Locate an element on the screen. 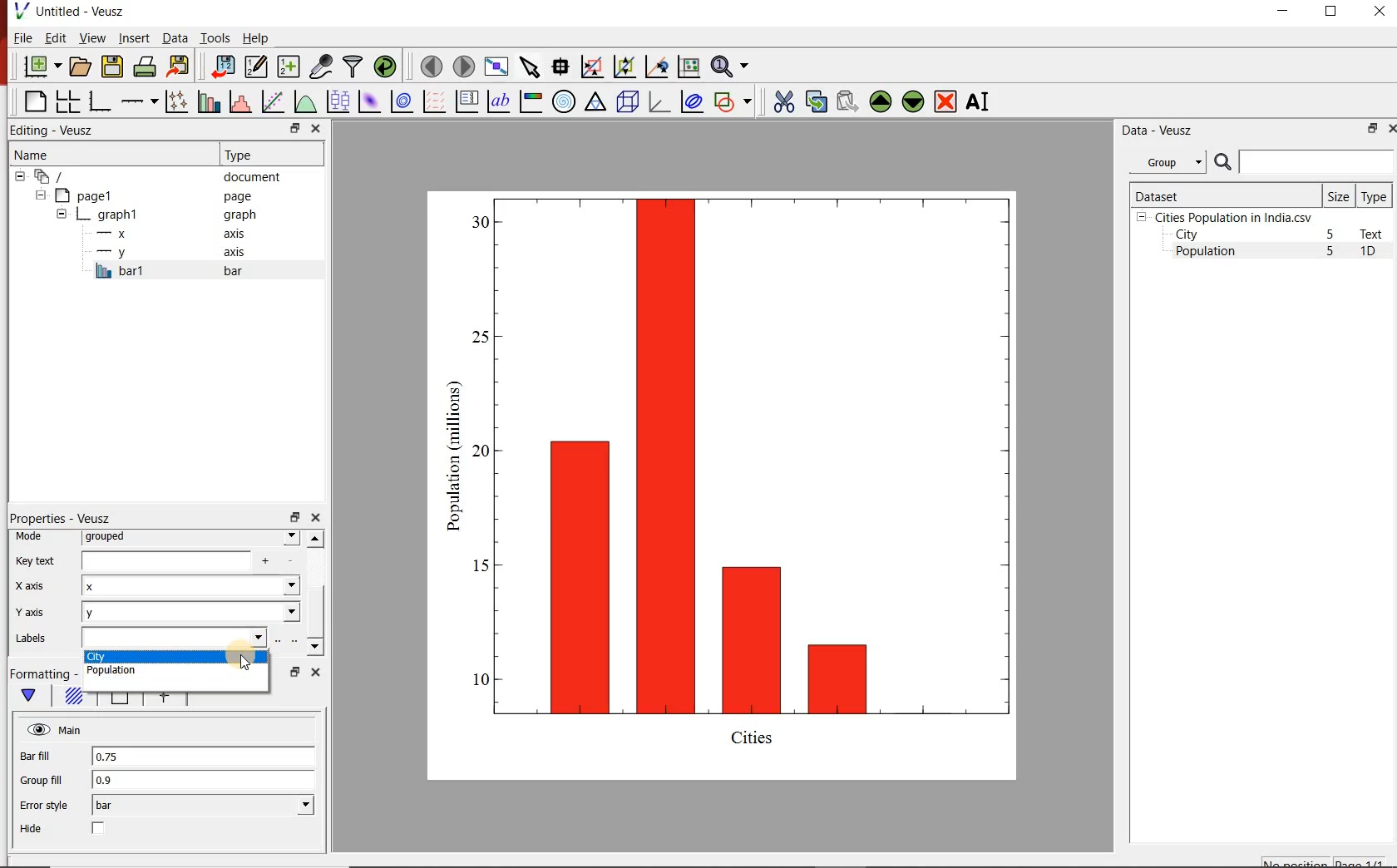  Untitled-Veusz is located at coordinates (71, 12).